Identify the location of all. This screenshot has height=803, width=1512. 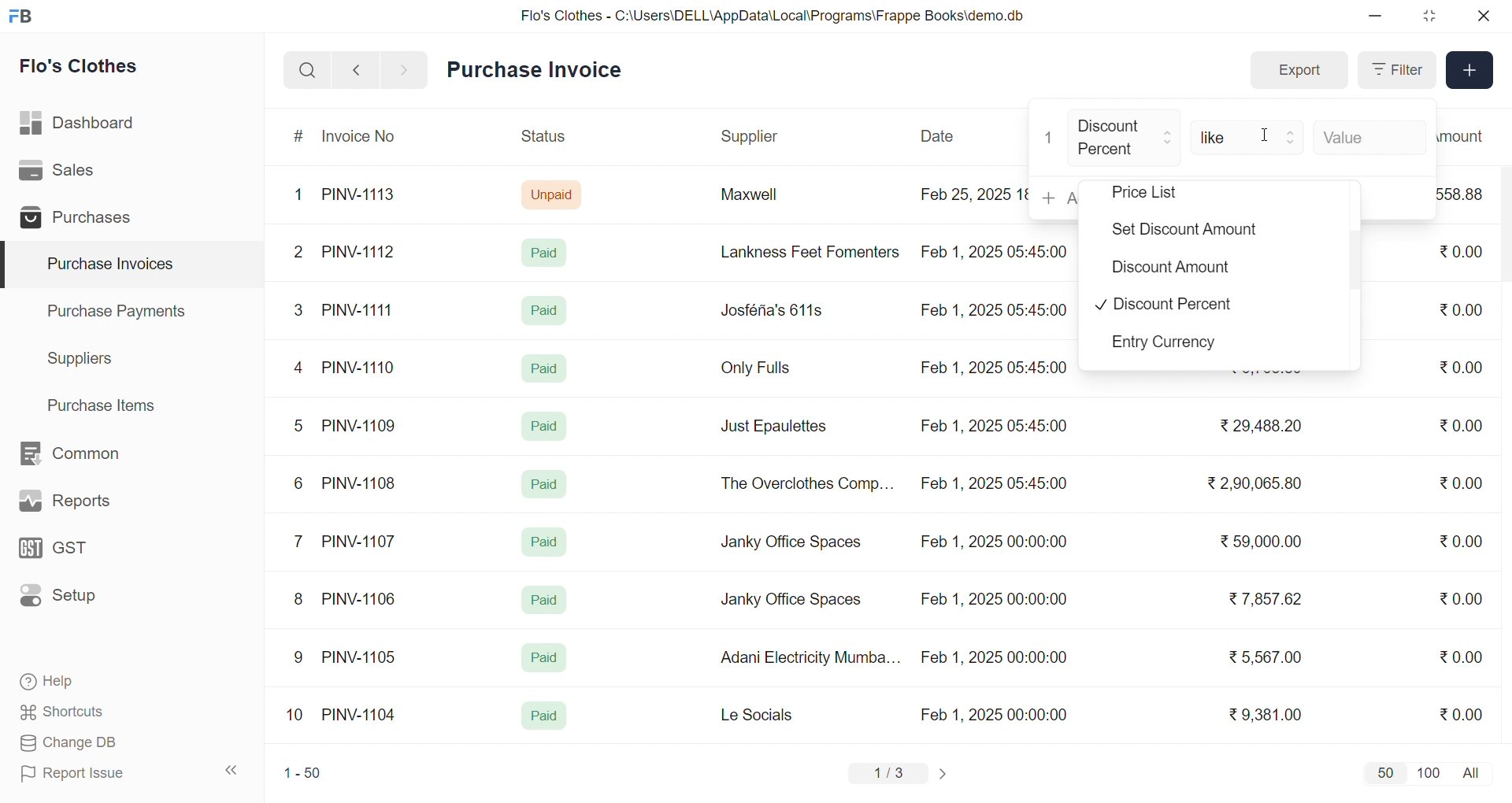
(1474, 772).